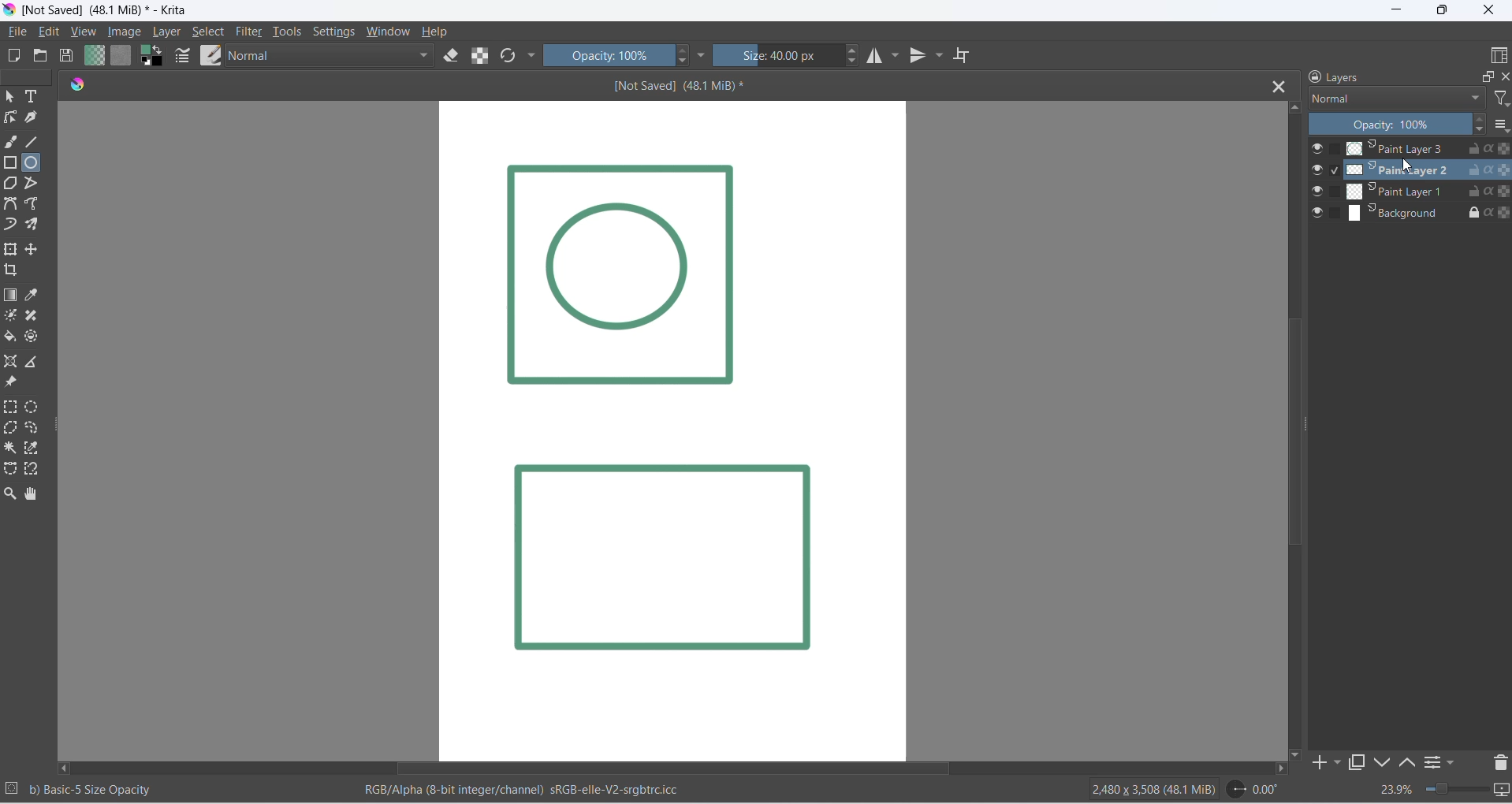 Image resolution: width=1512 pixels, height=804 pixels. What do you see at coordinates (779, 54) in the screenshot?
I see `size` at bounding box center [779, 54].